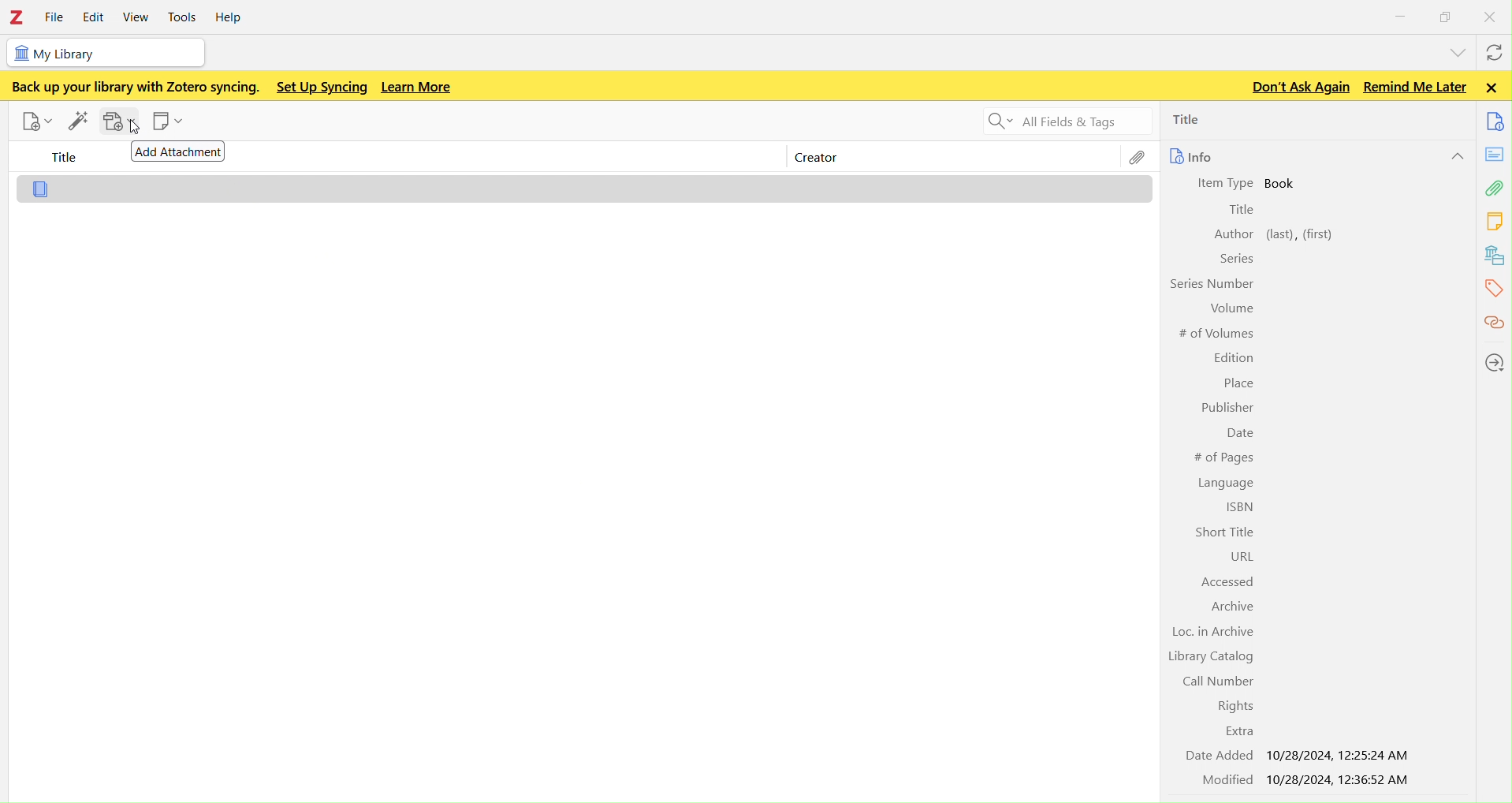 The image size is (1512, 803). Describe the element at coordinates (1496, 188) in the screenshot. I see `attachment` at that location.